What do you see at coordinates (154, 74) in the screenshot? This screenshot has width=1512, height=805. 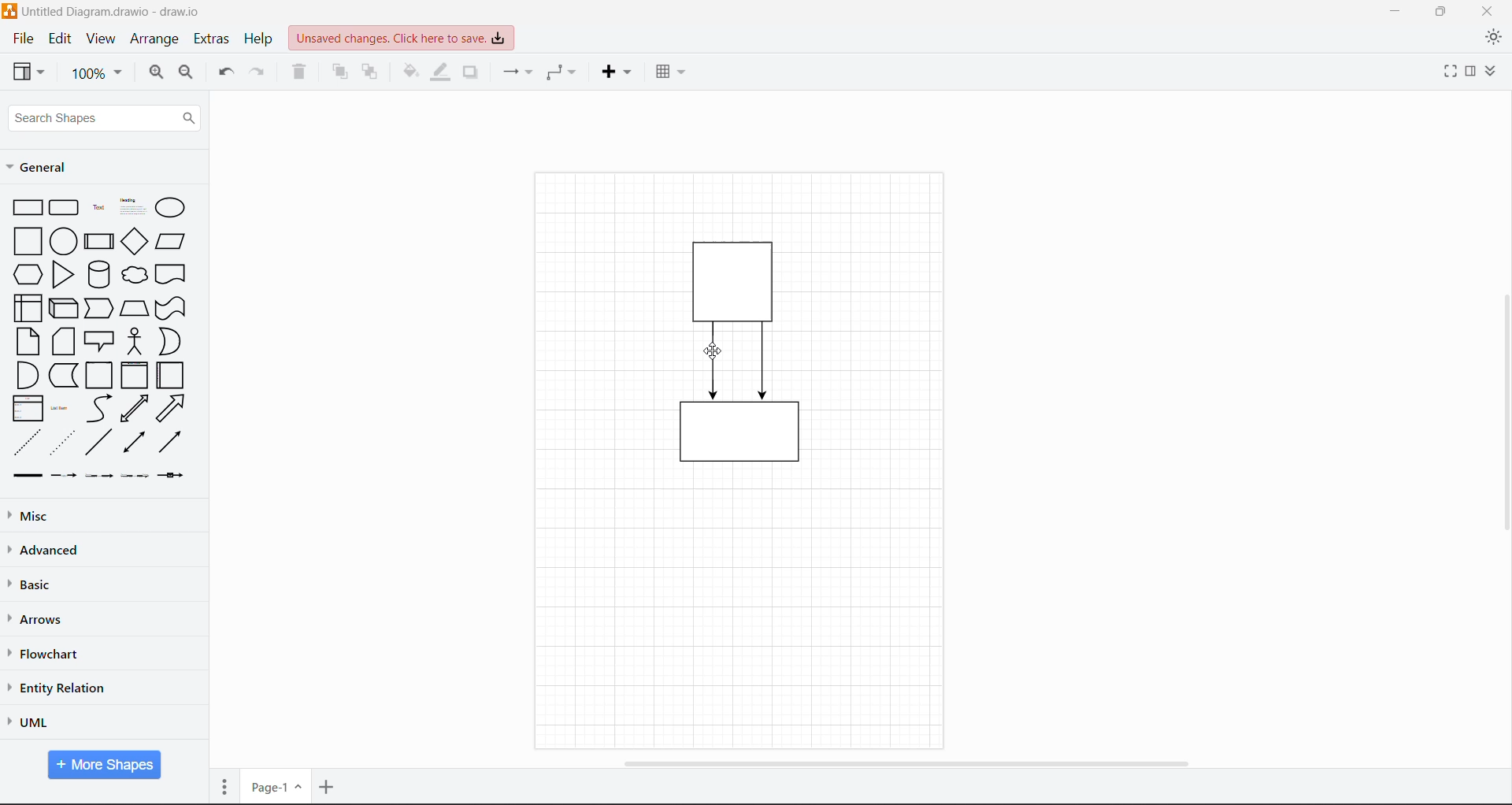 I see `Zoom In` at bounding box center [154, 74].